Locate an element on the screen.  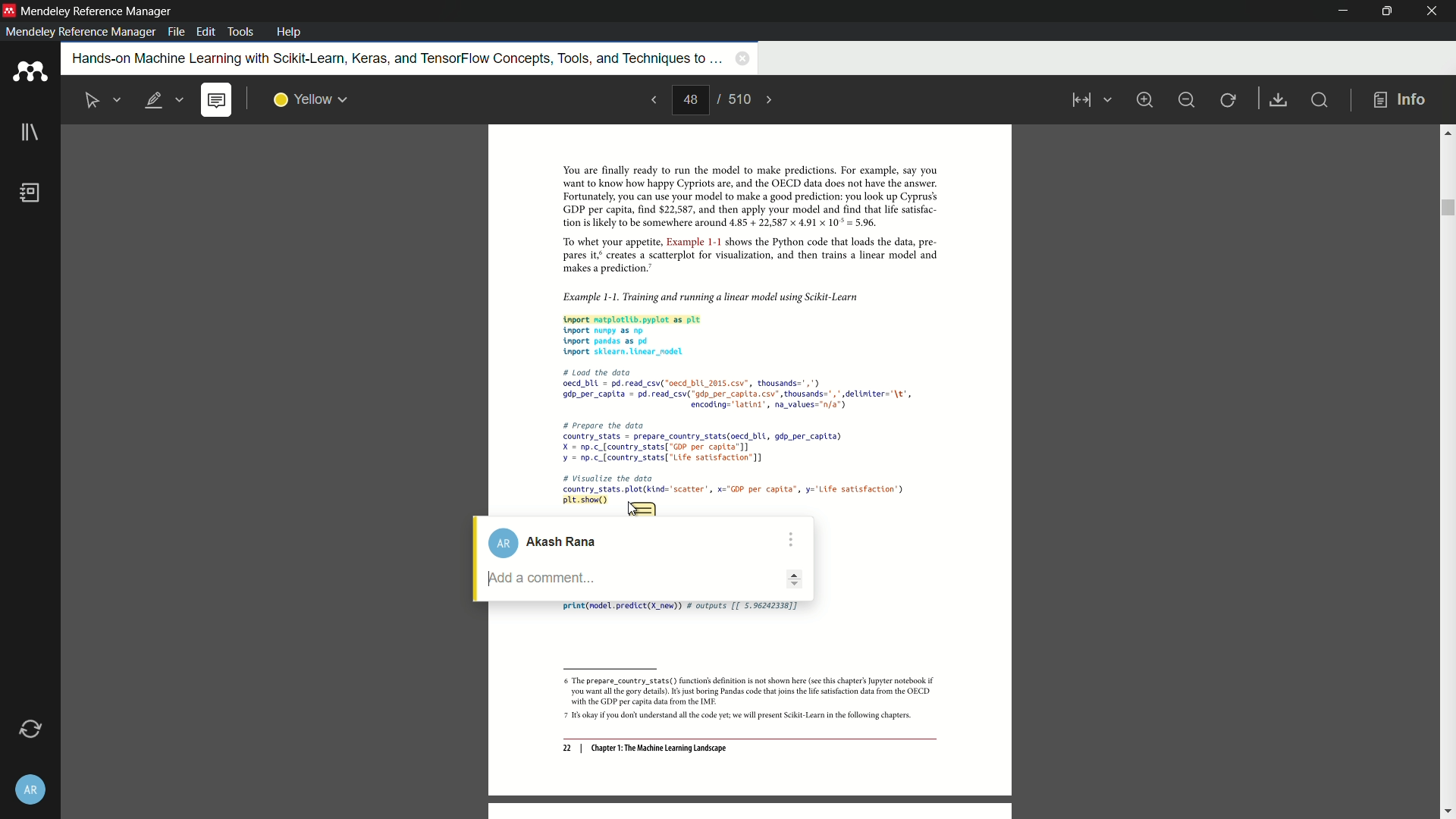
view mode is located at coordinates (1089, 100).